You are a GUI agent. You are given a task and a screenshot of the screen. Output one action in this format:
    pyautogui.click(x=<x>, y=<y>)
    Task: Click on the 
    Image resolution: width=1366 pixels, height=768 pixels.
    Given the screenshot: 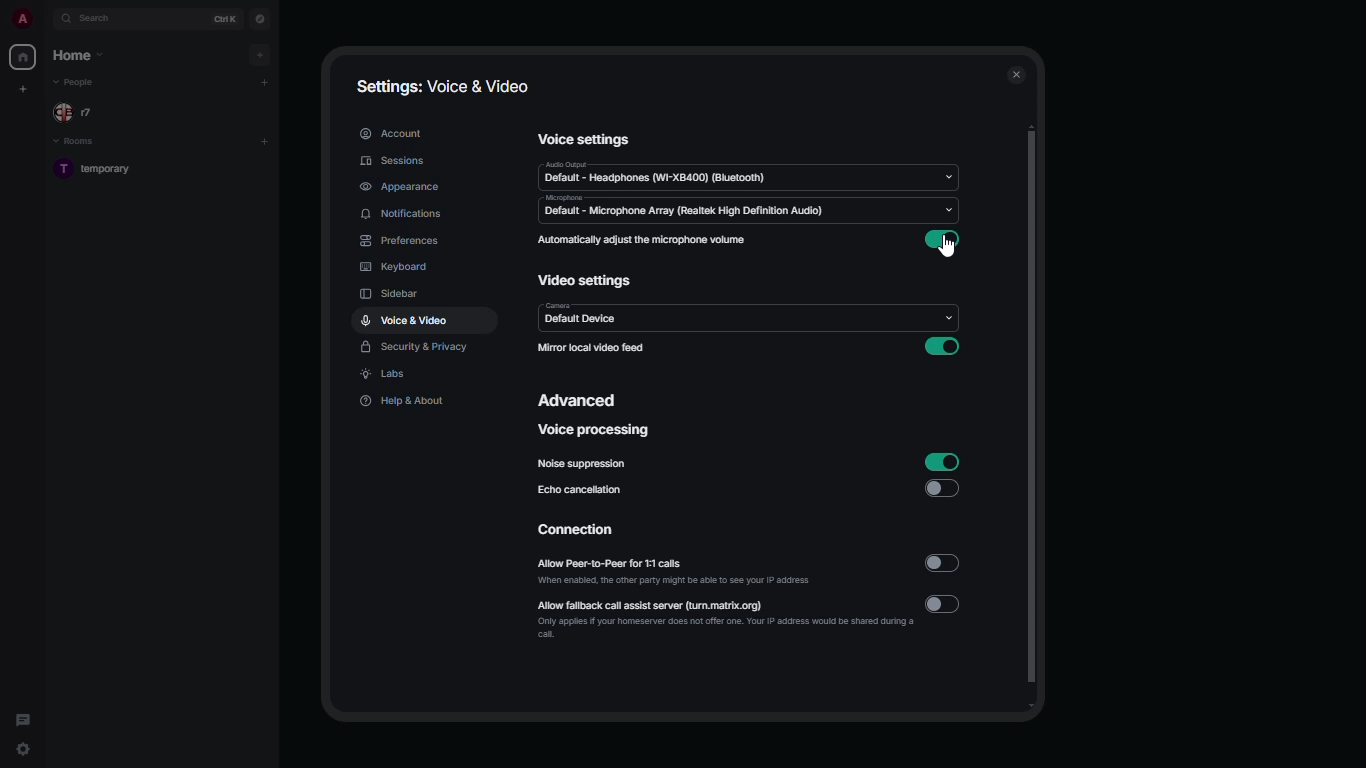 What is the action you would take?
    pyautogui.click(x=660, y=318)
    